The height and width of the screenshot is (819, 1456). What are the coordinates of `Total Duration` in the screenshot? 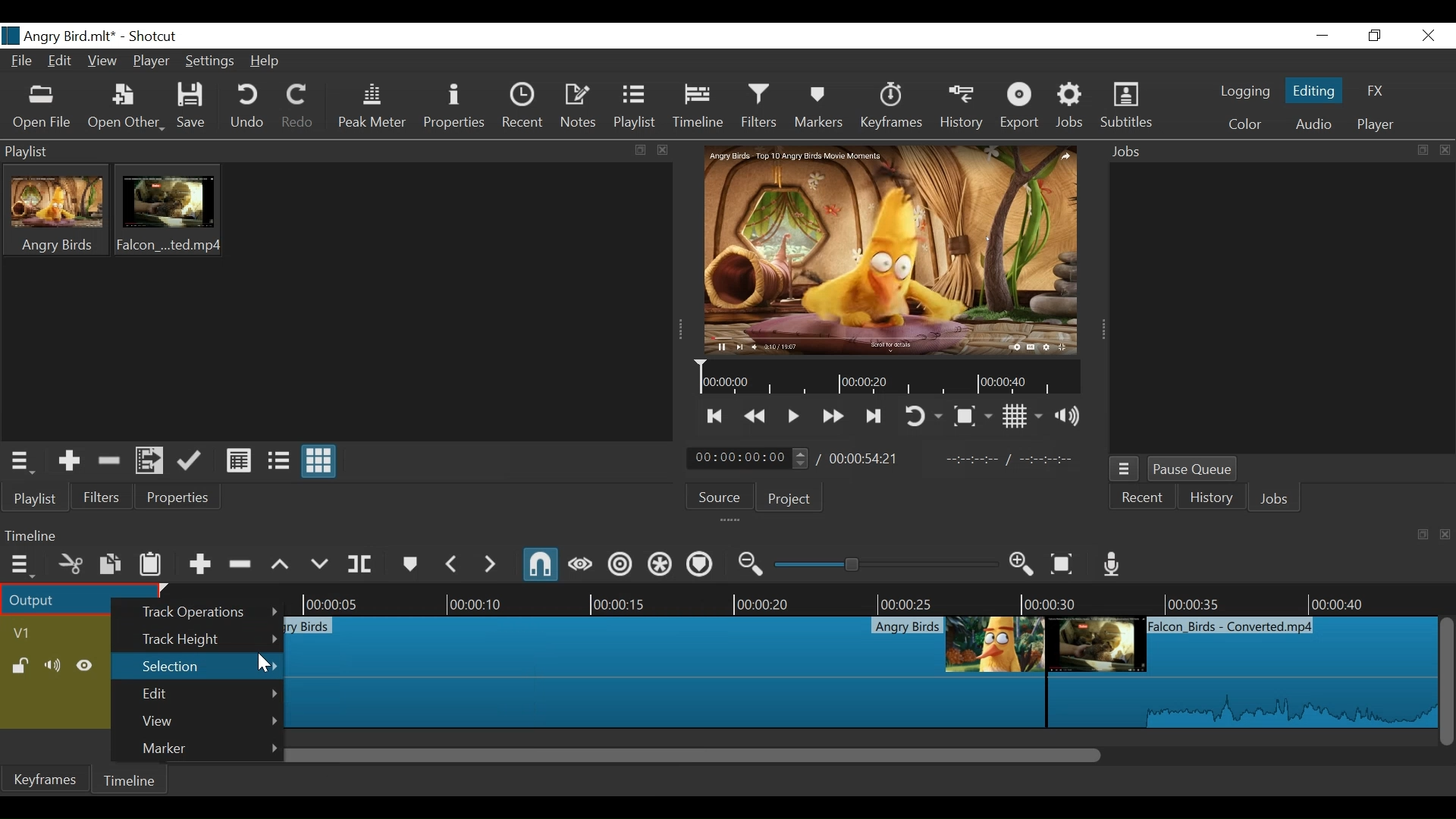 It's located at (864, 459).